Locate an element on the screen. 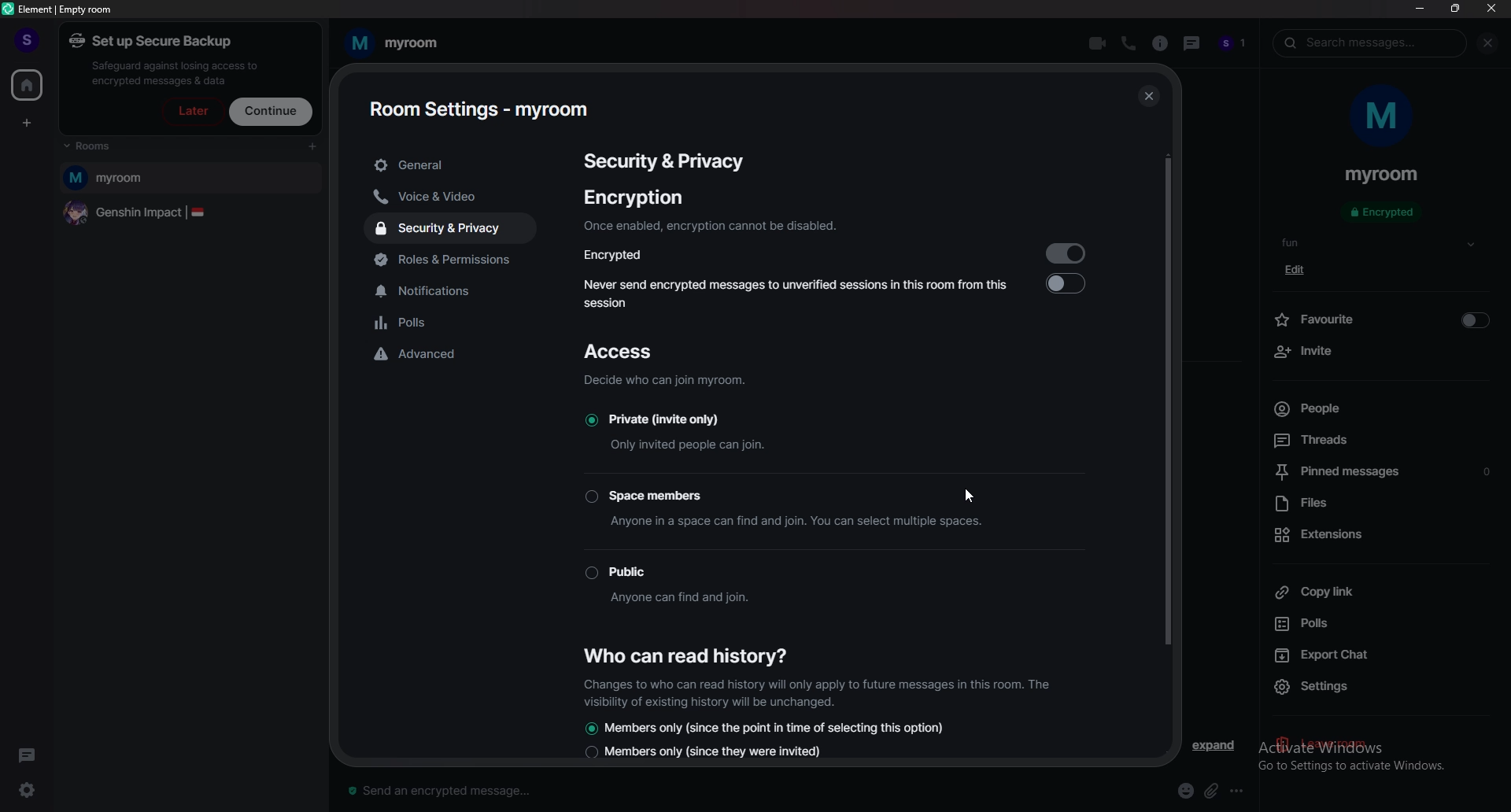 This screenshot has width=1511, height=812. my room is located at coordinates (403, 42).